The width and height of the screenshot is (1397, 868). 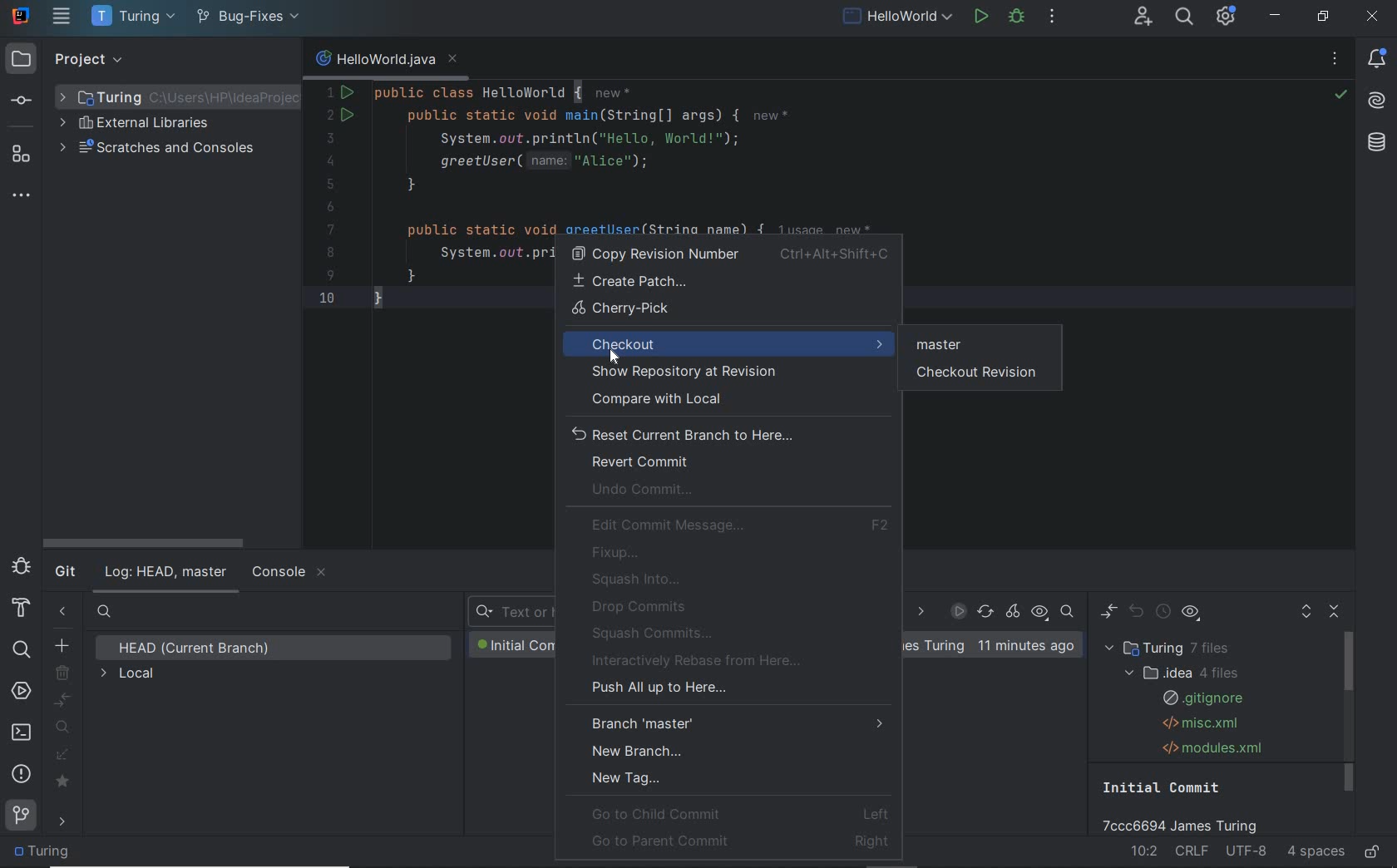 I want to click on project, so click(x=65, y=61).